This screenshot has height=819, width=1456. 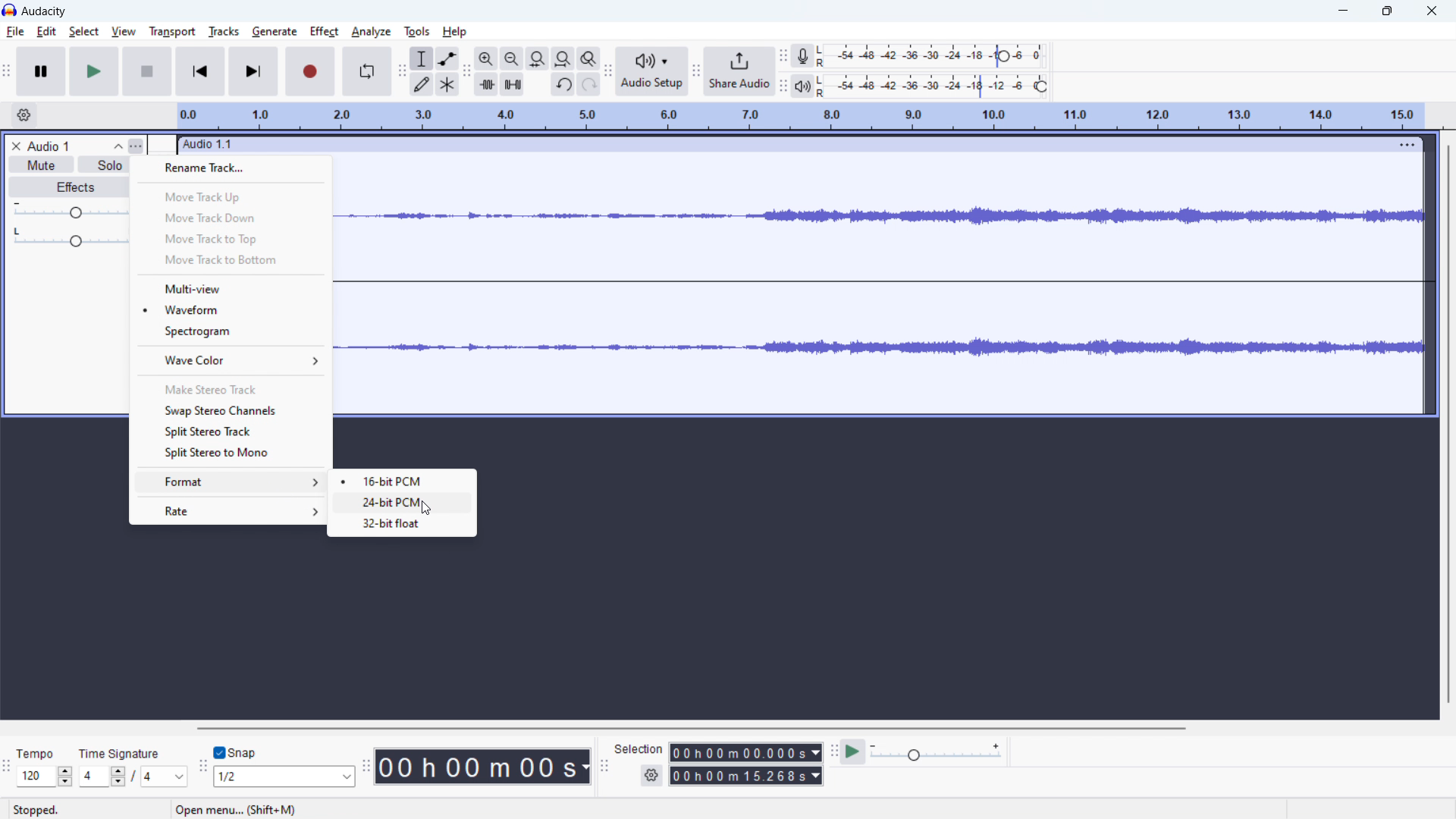 What do you see at coordinates (783, 55) in the screenshot?
I see `recording meter toolbar` at bounding box center [783, 55].